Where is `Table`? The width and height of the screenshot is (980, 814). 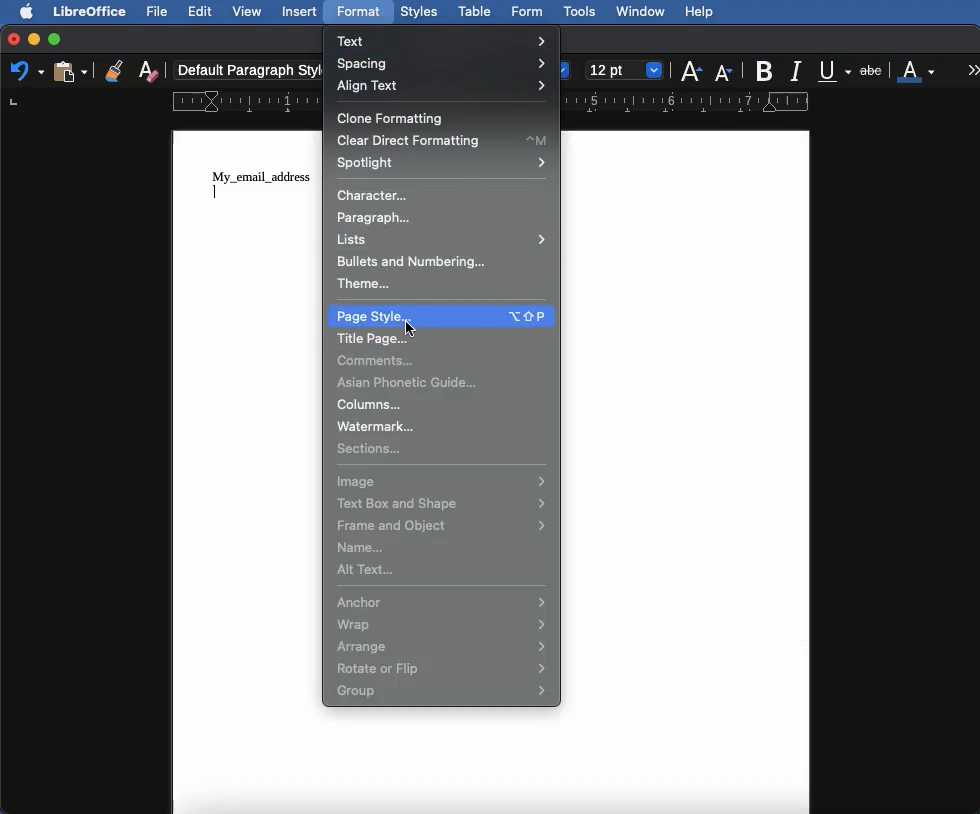 Table is located at coordinates (475, 9).